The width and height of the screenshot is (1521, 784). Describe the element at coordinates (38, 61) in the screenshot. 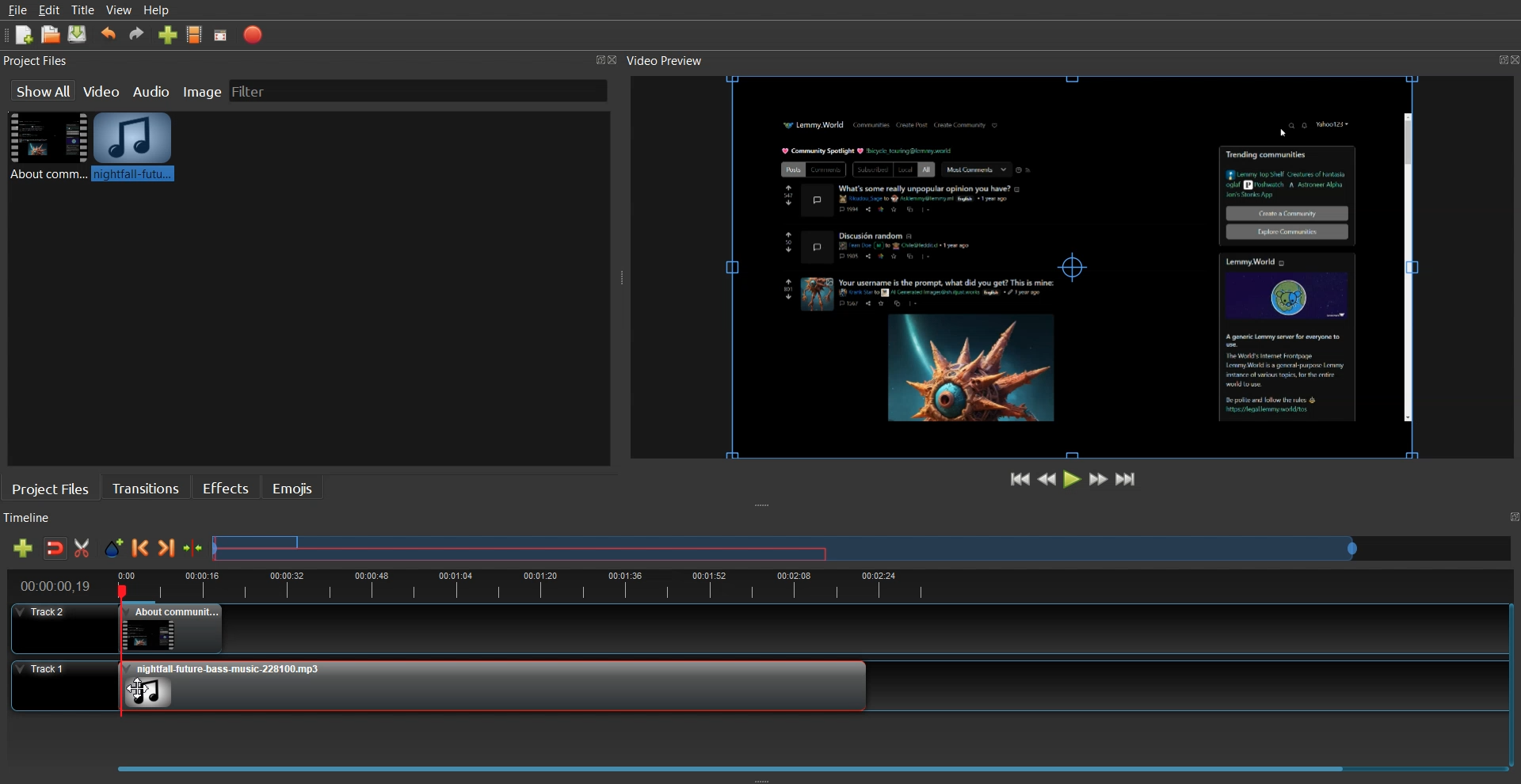

I see `Project Files` at that location.